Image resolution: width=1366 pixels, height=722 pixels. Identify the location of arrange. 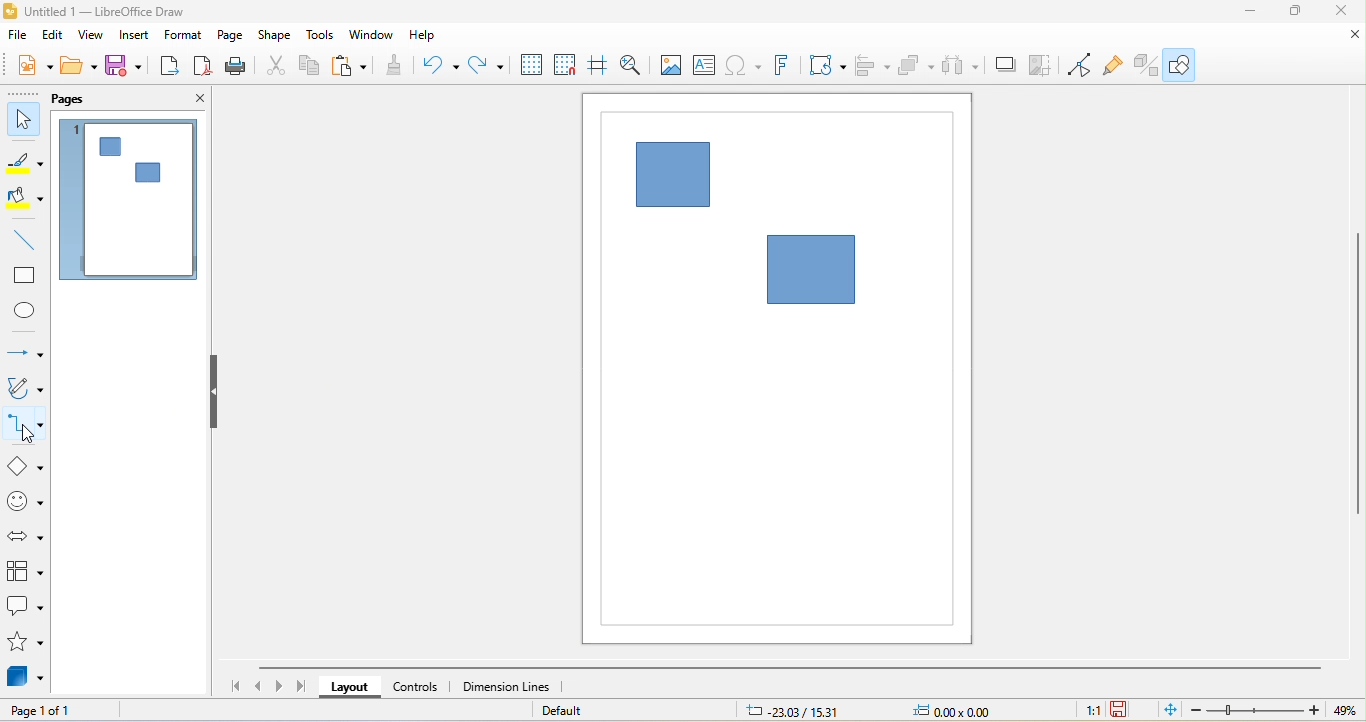
(917, 67).